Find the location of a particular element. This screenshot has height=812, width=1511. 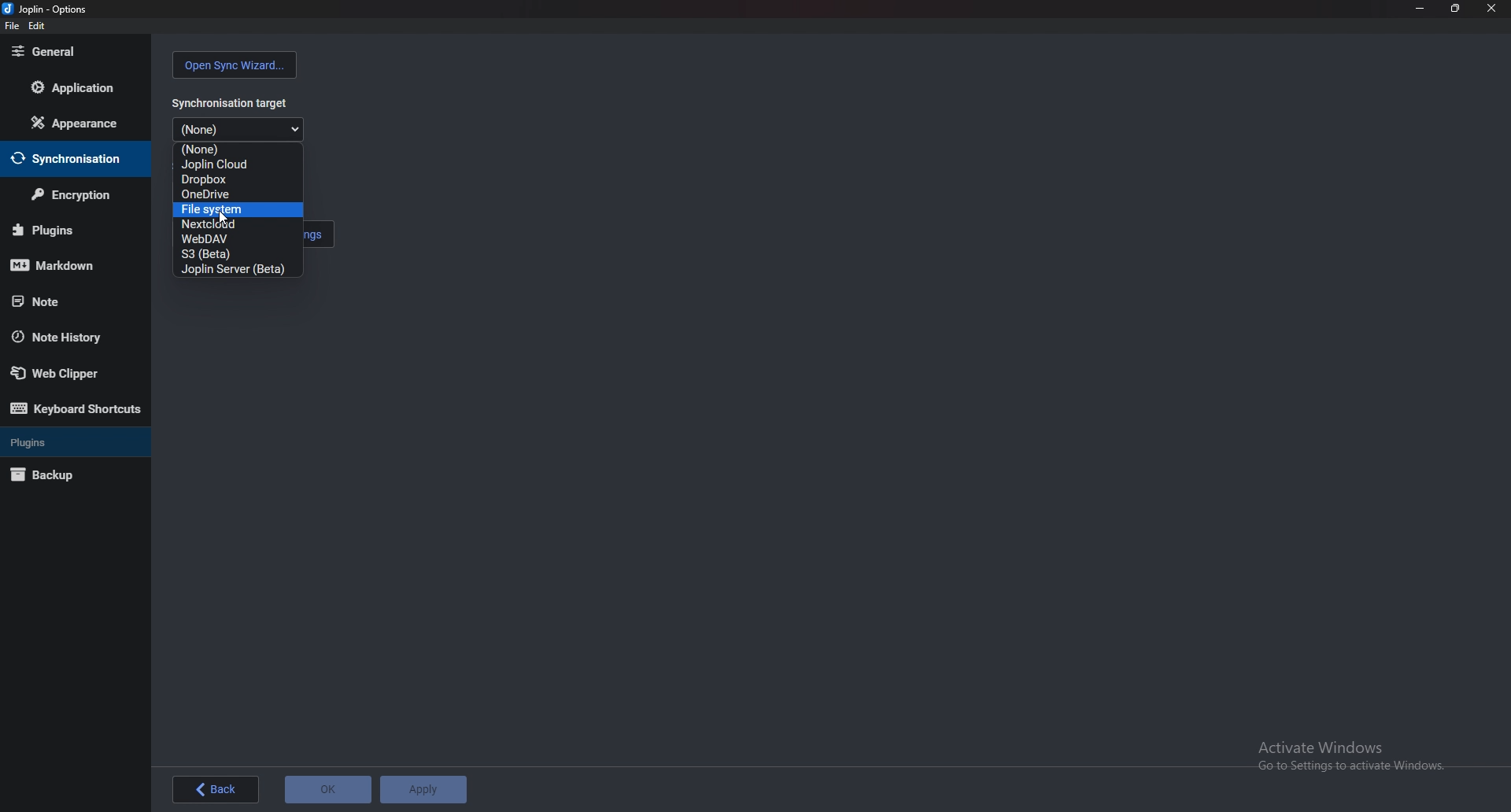

Synchronization target is located at coordinates (231, 102).